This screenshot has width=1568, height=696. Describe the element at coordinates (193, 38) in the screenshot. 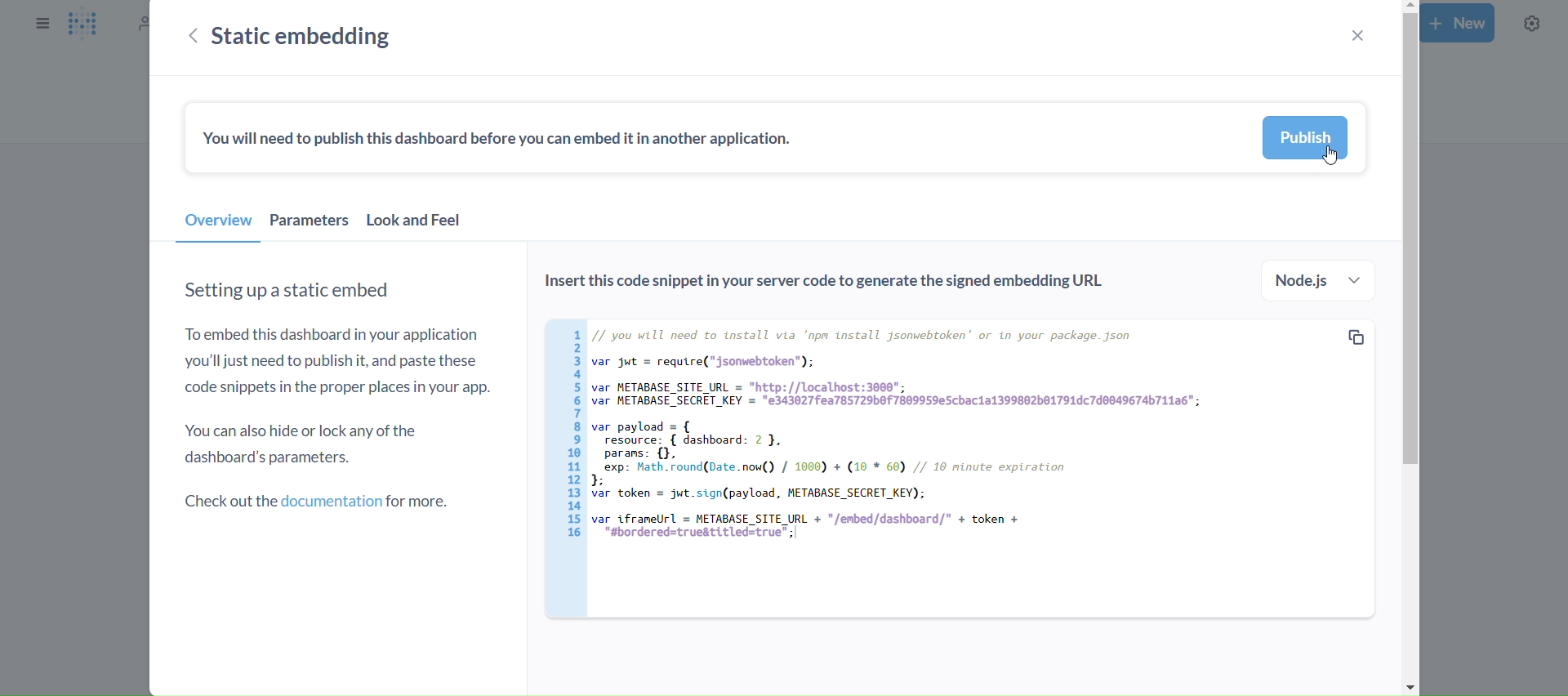

I see `back` at that location.